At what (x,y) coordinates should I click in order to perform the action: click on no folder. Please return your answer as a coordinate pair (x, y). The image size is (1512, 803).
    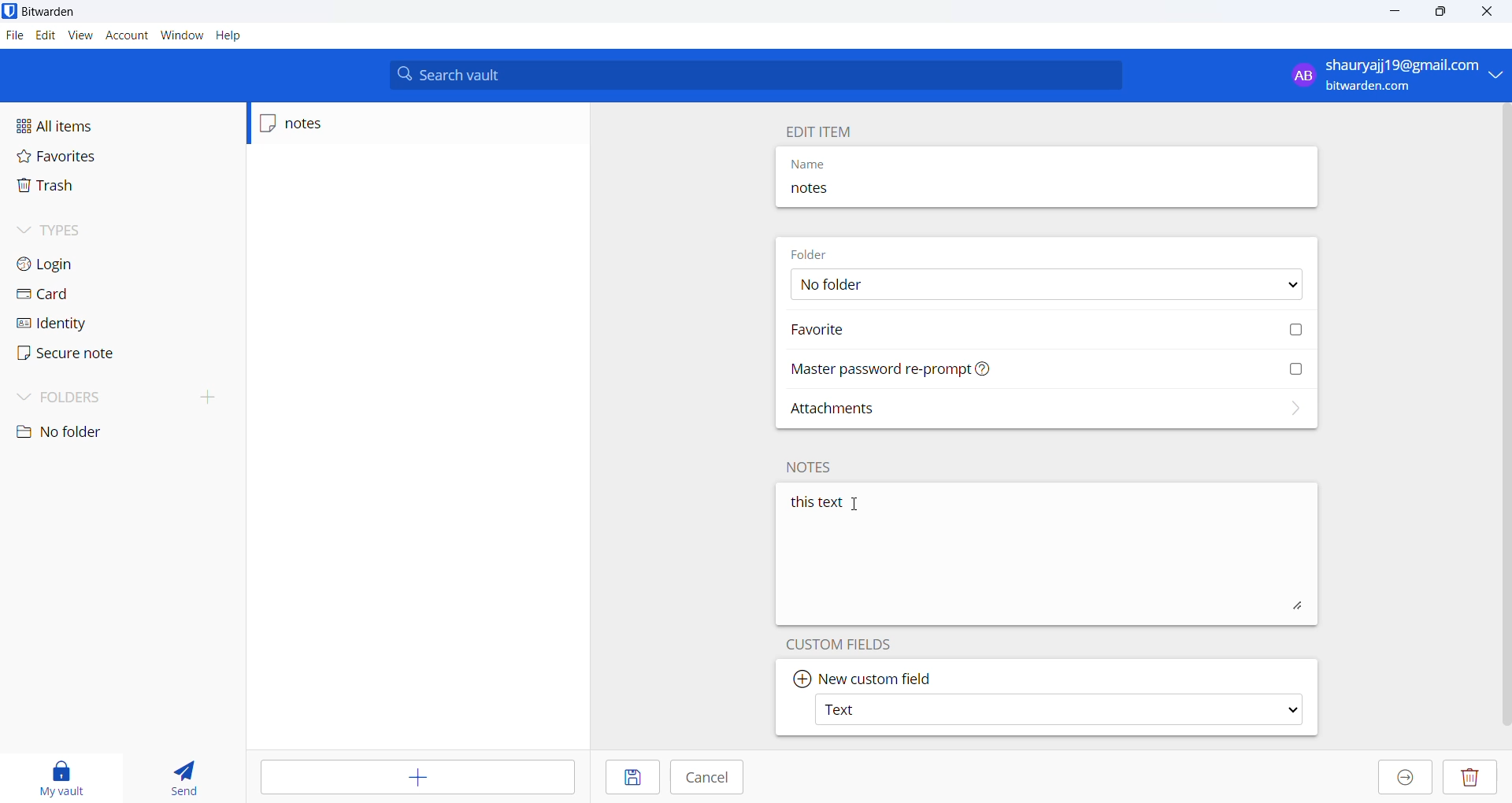
    Looking at the image, I should click on (76, 432).